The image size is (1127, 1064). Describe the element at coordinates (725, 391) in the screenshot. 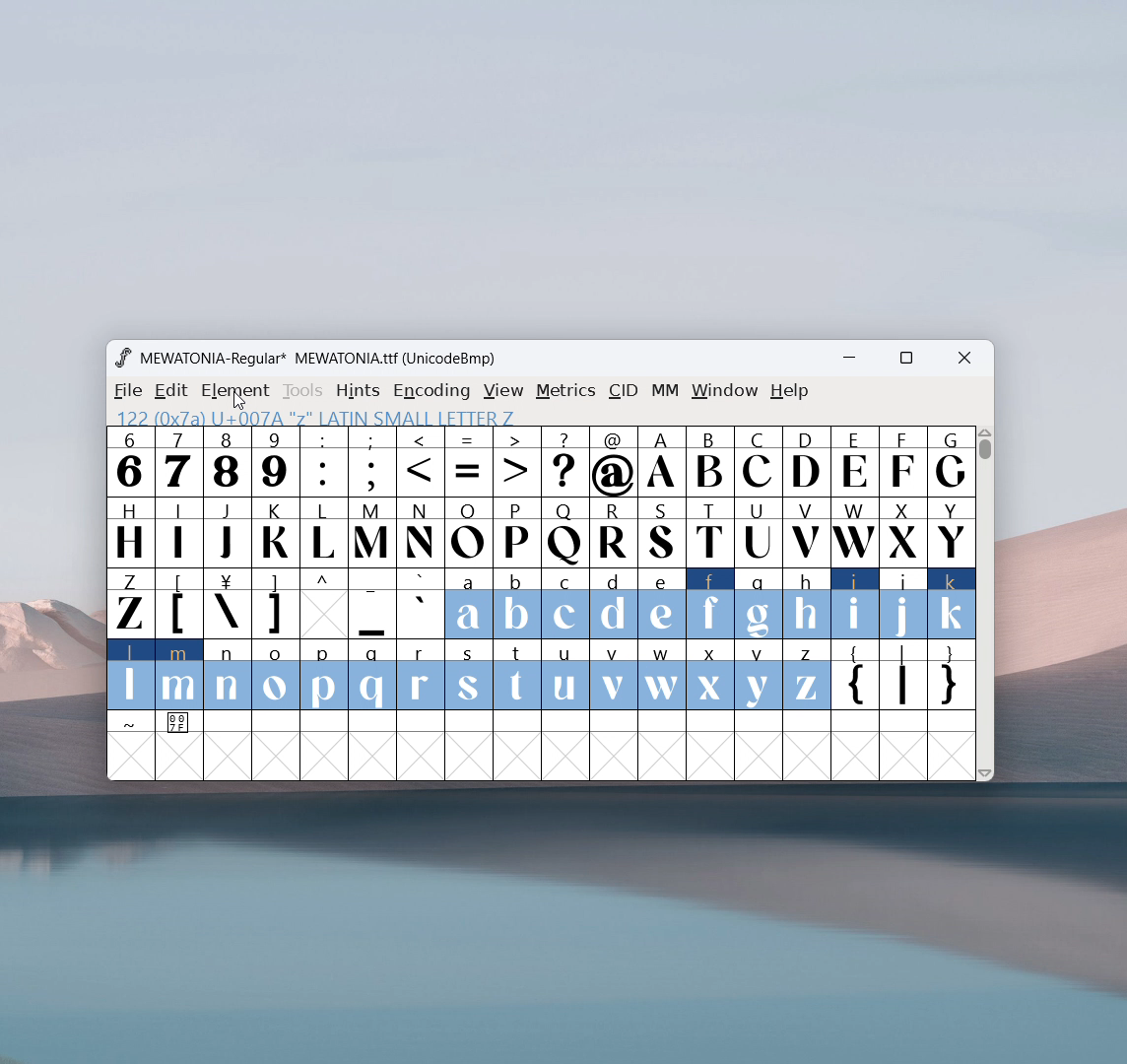

I see `window` at that location.